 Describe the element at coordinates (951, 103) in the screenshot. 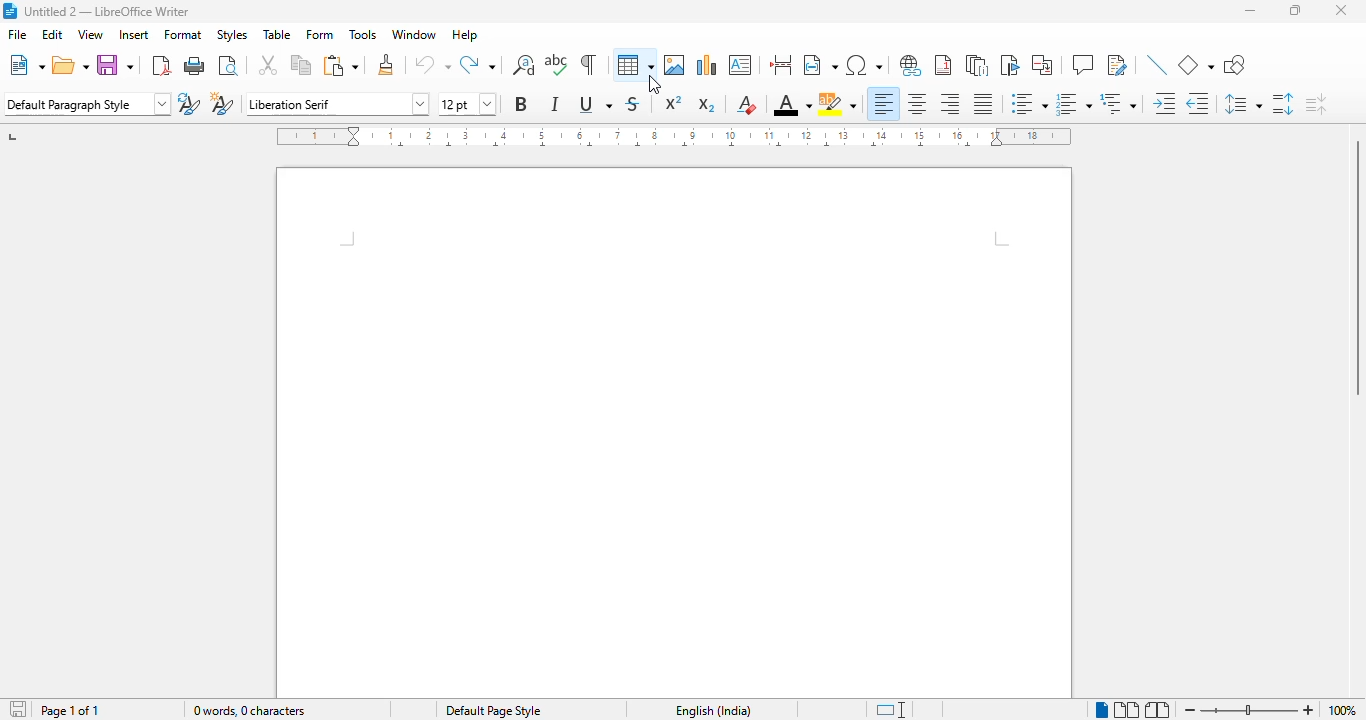

I see `align right` at that location.